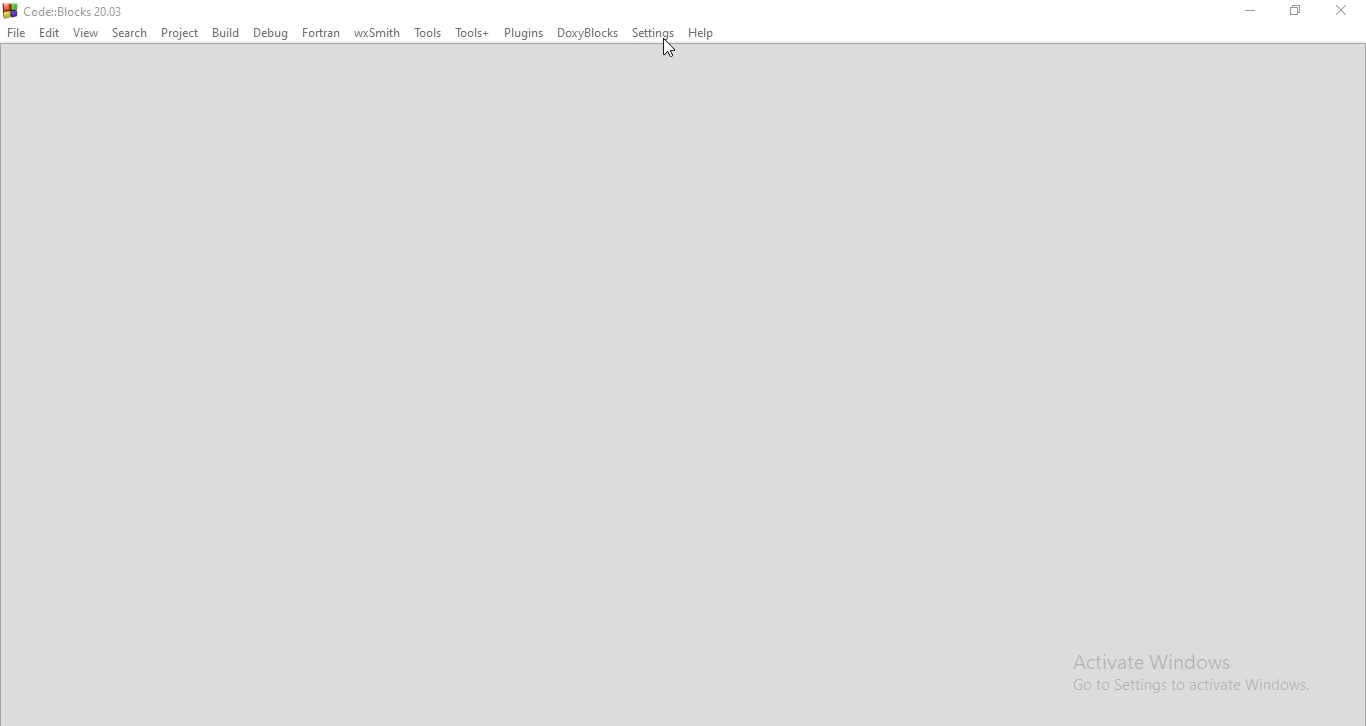 The width and height of the screenshot is (1366, 726). I want to click on Debug, so click(270, 34).